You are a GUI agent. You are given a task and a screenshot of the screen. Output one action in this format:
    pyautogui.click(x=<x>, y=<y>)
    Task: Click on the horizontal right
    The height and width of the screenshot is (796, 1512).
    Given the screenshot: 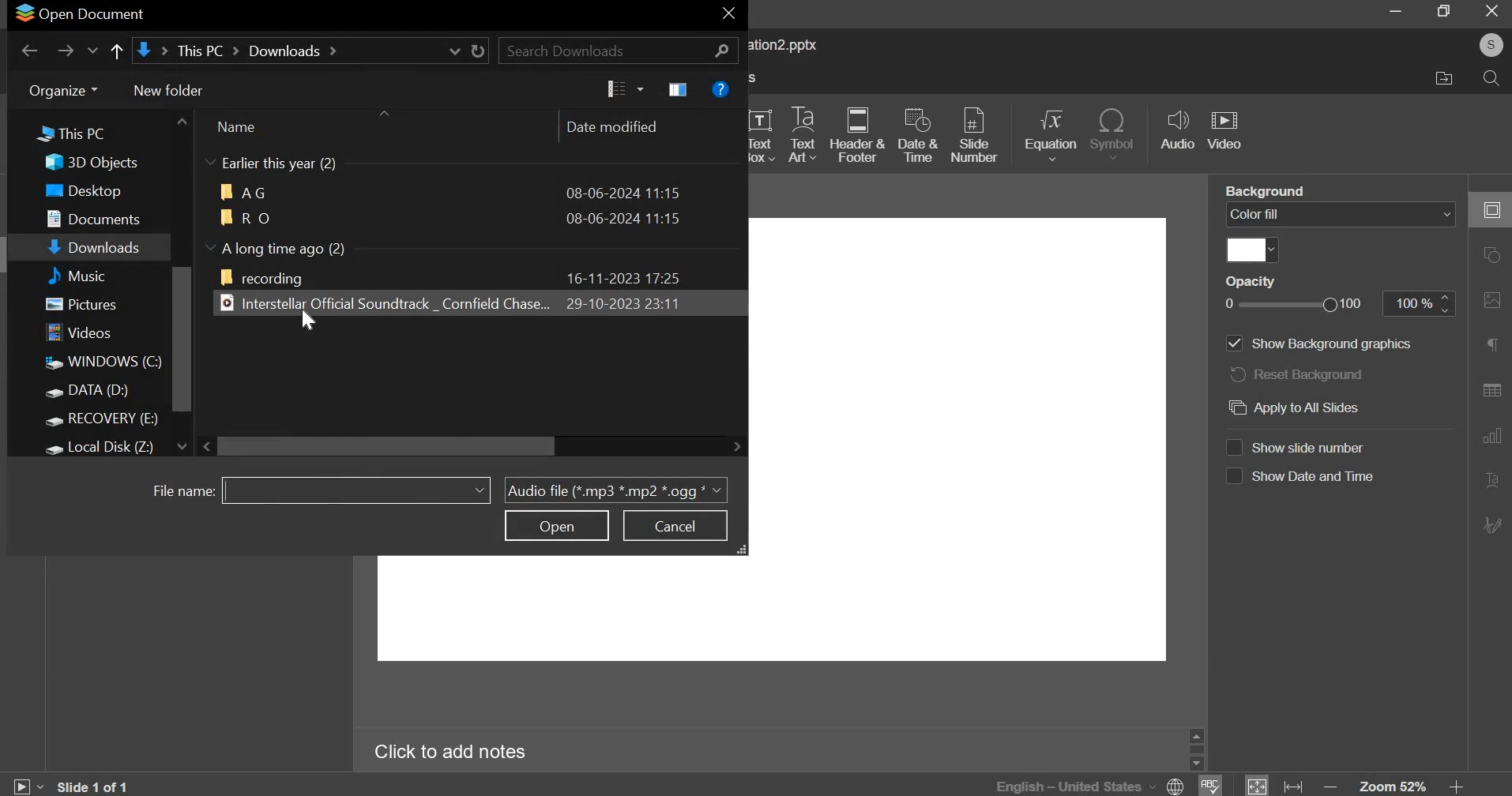 What is the action you would take?
    pyautogui.click(x=736, y=445)
    